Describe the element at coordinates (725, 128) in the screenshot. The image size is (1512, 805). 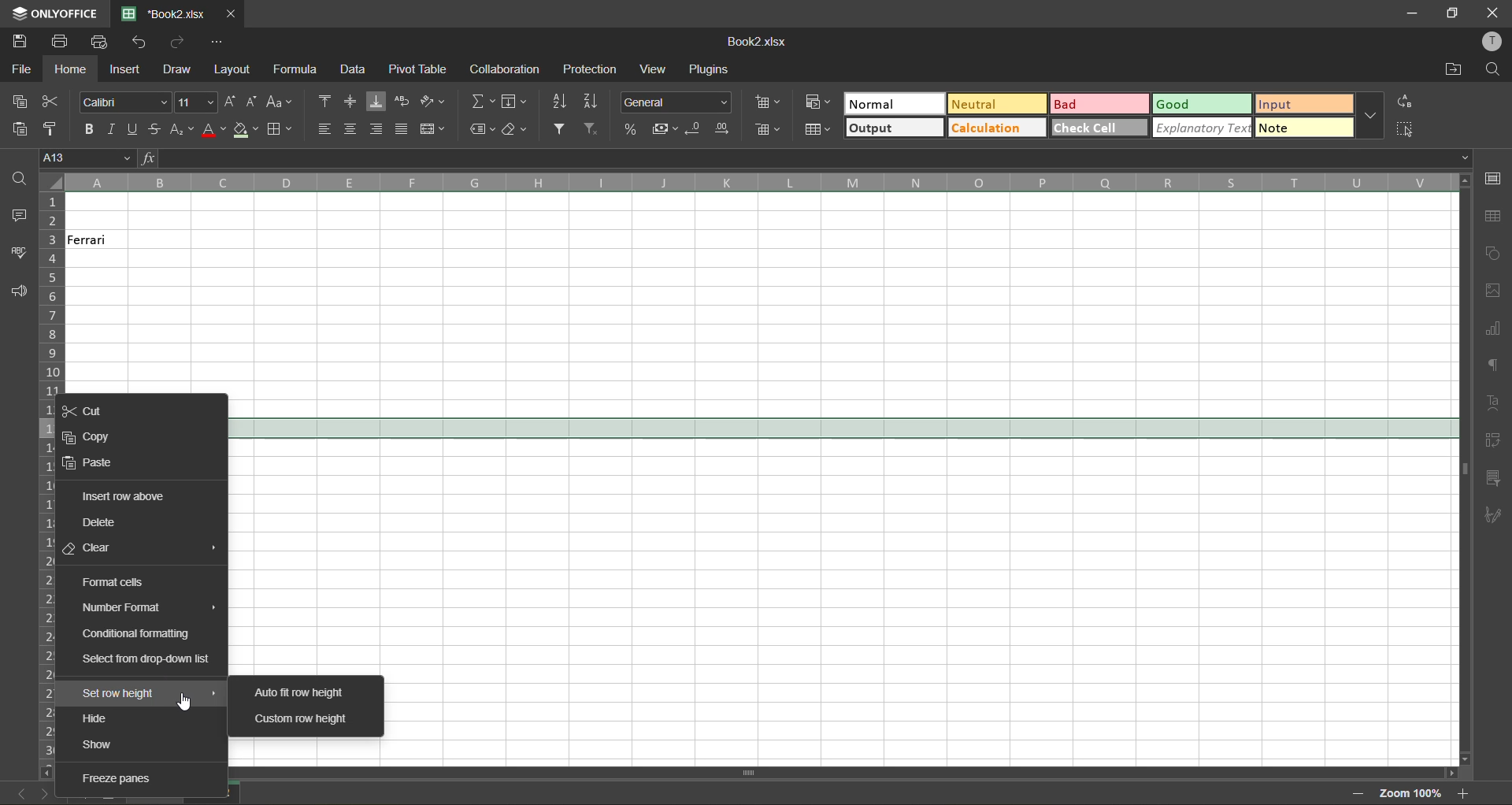
I see `increase decimal` at that location.